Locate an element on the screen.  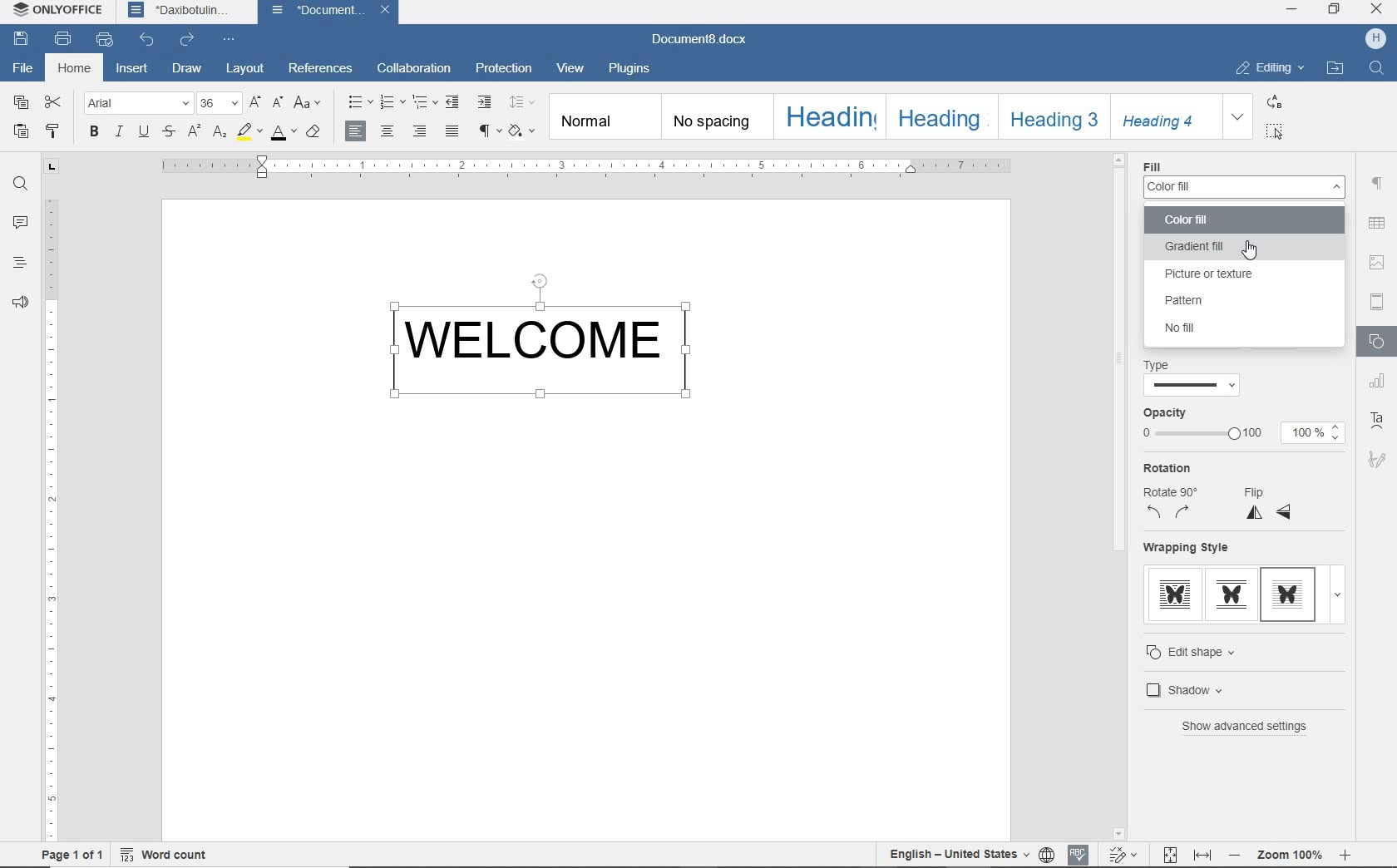
UNDO is located at coordinates (148, 40).